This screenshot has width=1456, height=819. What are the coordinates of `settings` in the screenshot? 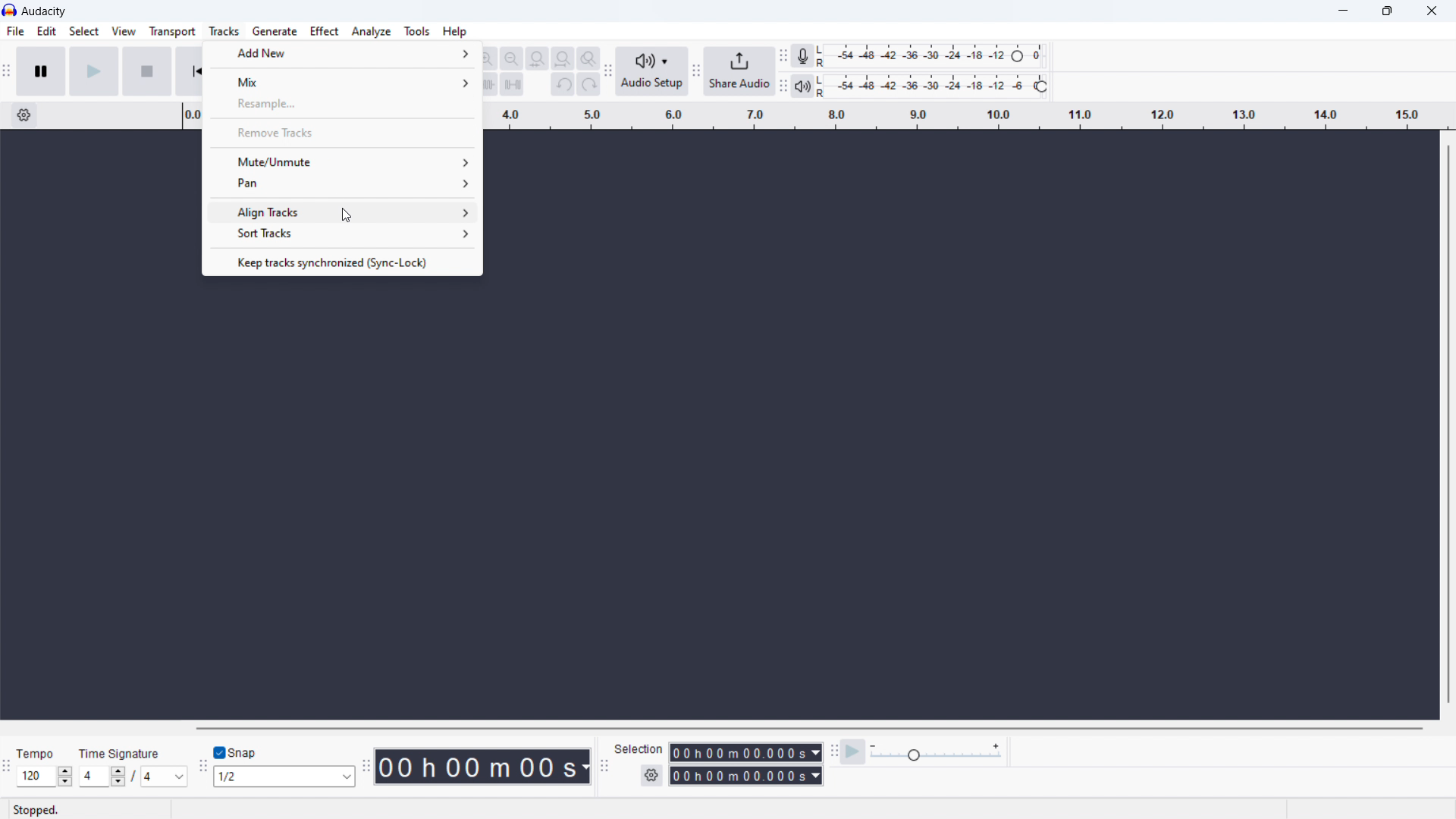 It's located at (23, 115).